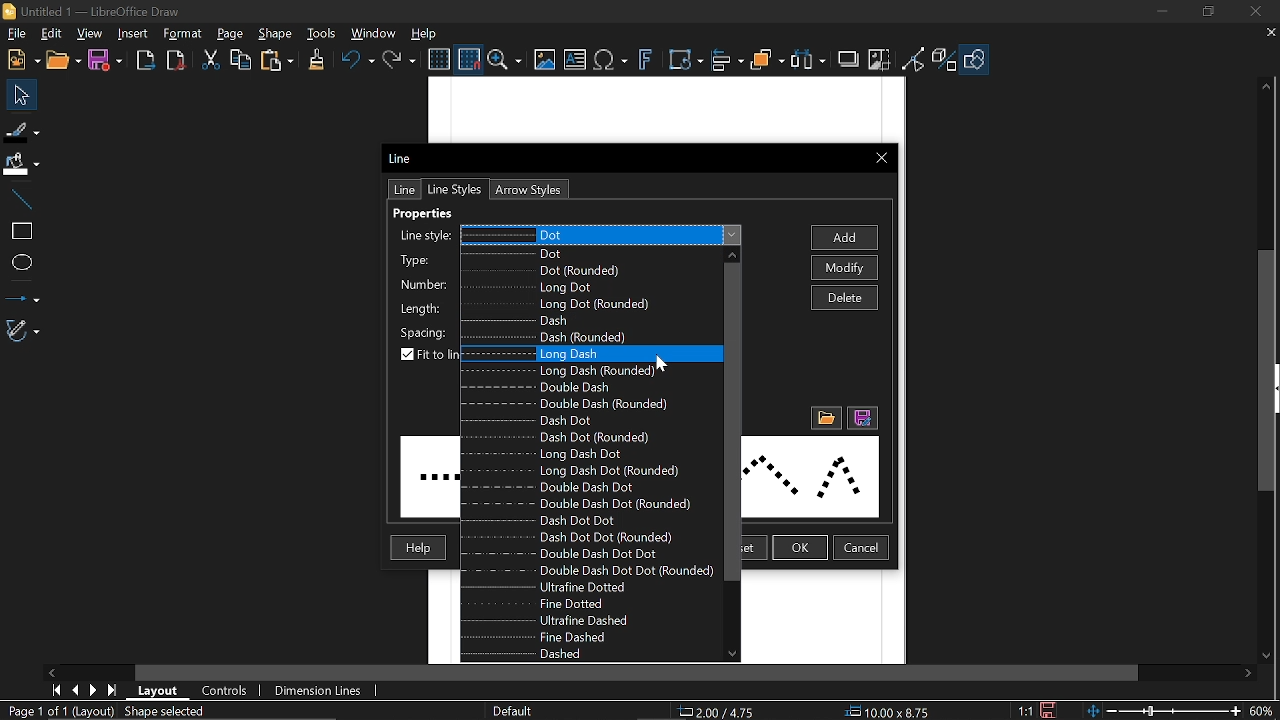 The image size is (1280, 720). Describe the element at coordinates (401, 59) in the screenshot. I see `Redo` at that location.